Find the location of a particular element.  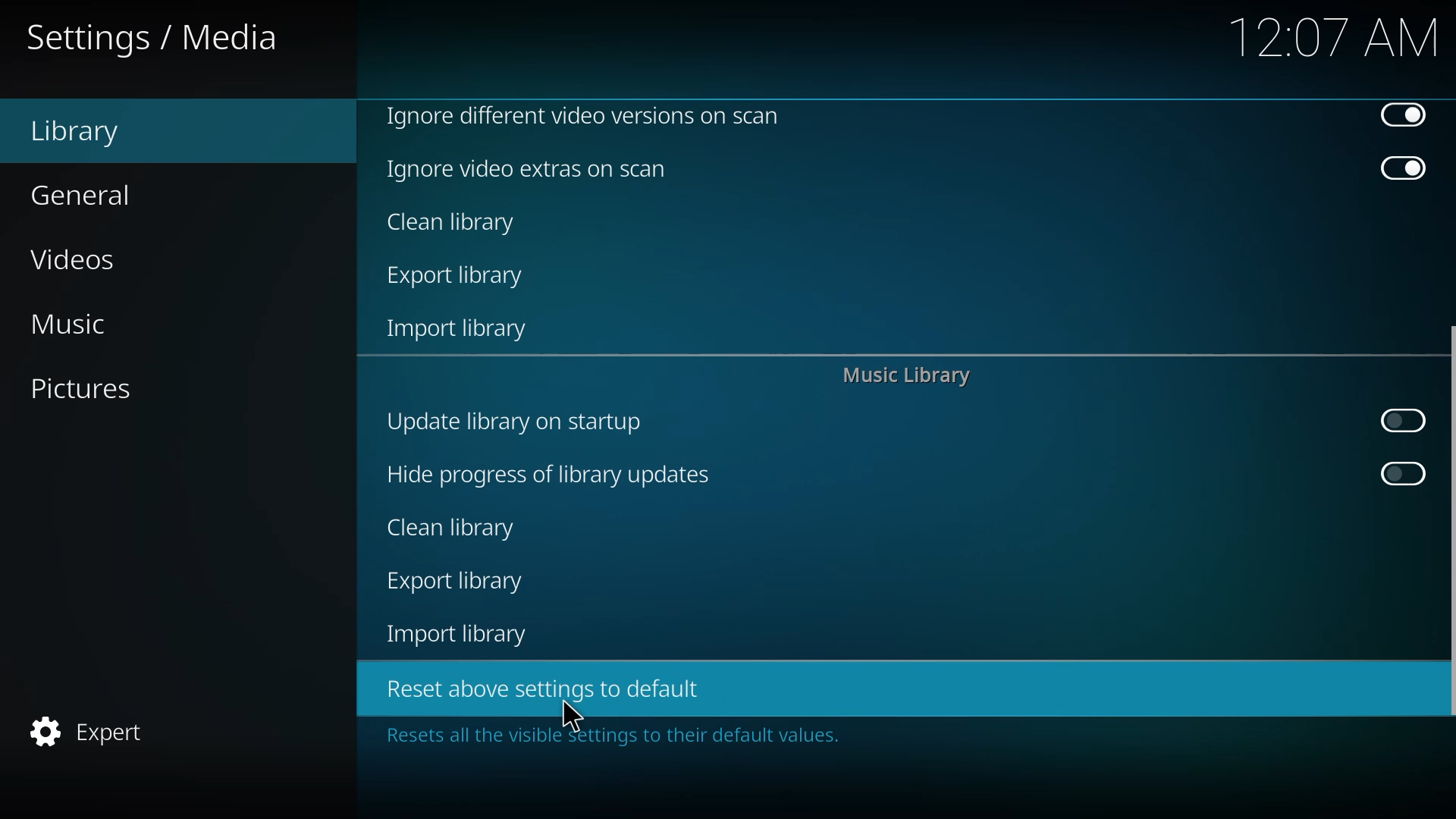

hide progress is located at coordinates (547, 475).